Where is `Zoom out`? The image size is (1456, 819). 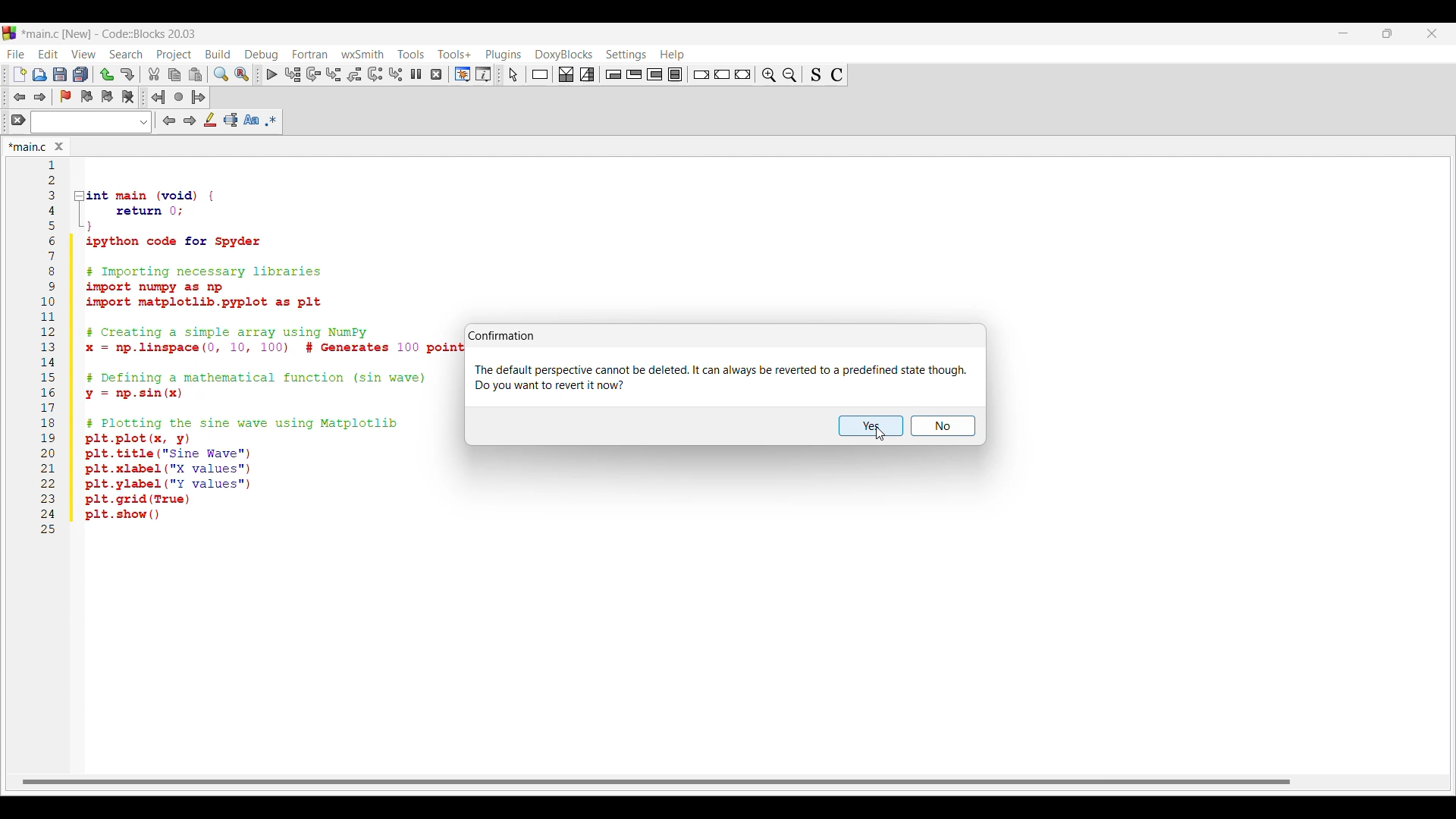 Zoom out is located at coordinates (790, 74).